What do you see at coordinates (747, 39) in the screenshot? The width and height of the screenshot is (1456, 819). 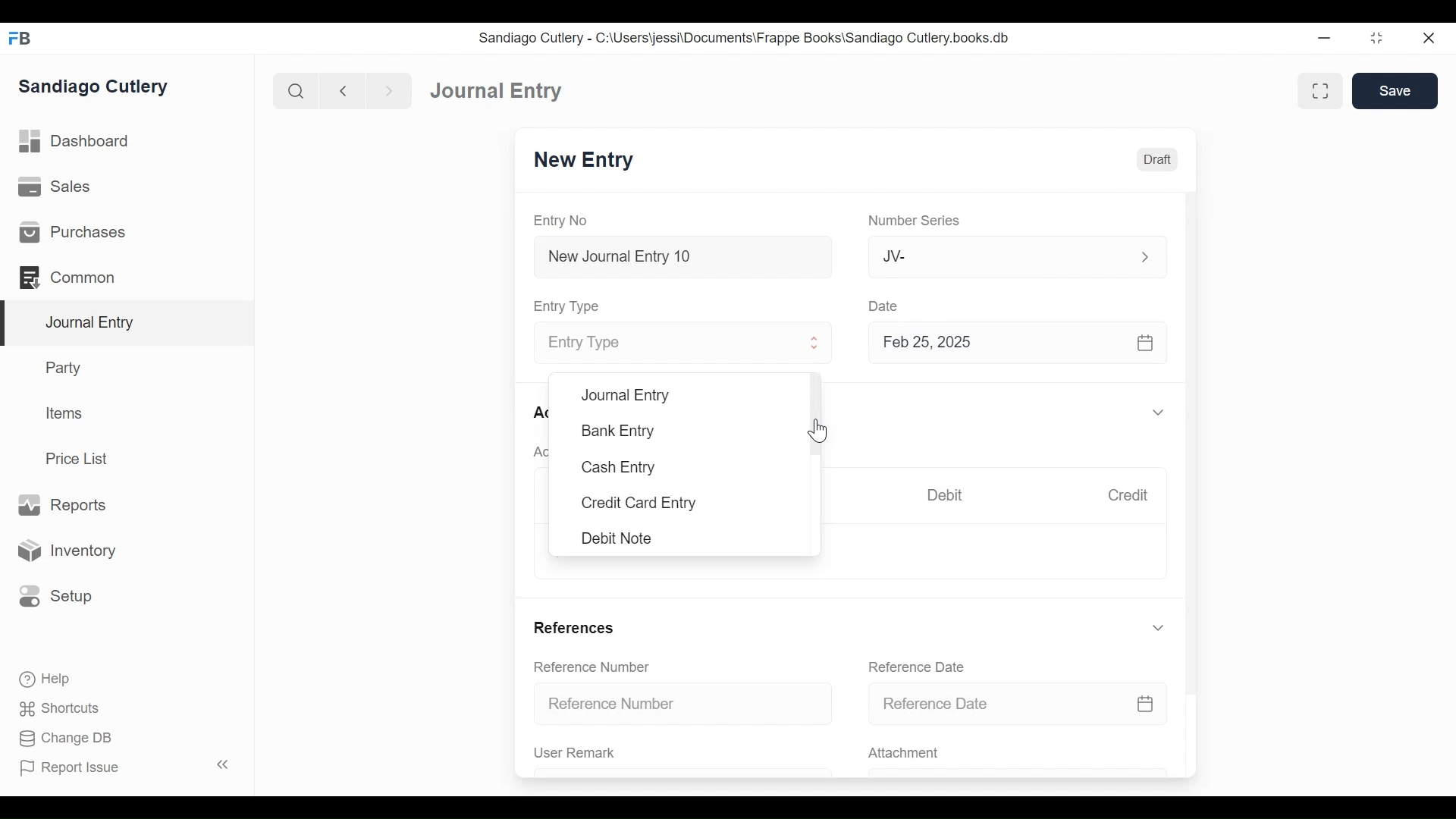 I see `Sandiago Cutlery - C:\Users\jessi\Documents\Frappe Books\Sandiago Cutlery.books.db` at bounding box center [747, 39].